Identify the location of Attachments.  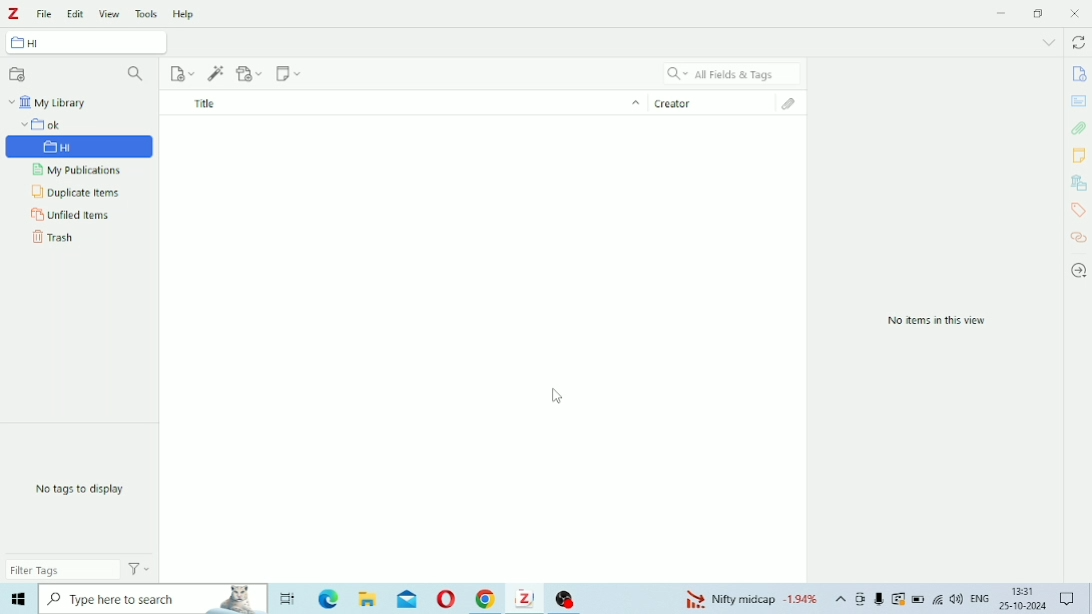
(795, 104).